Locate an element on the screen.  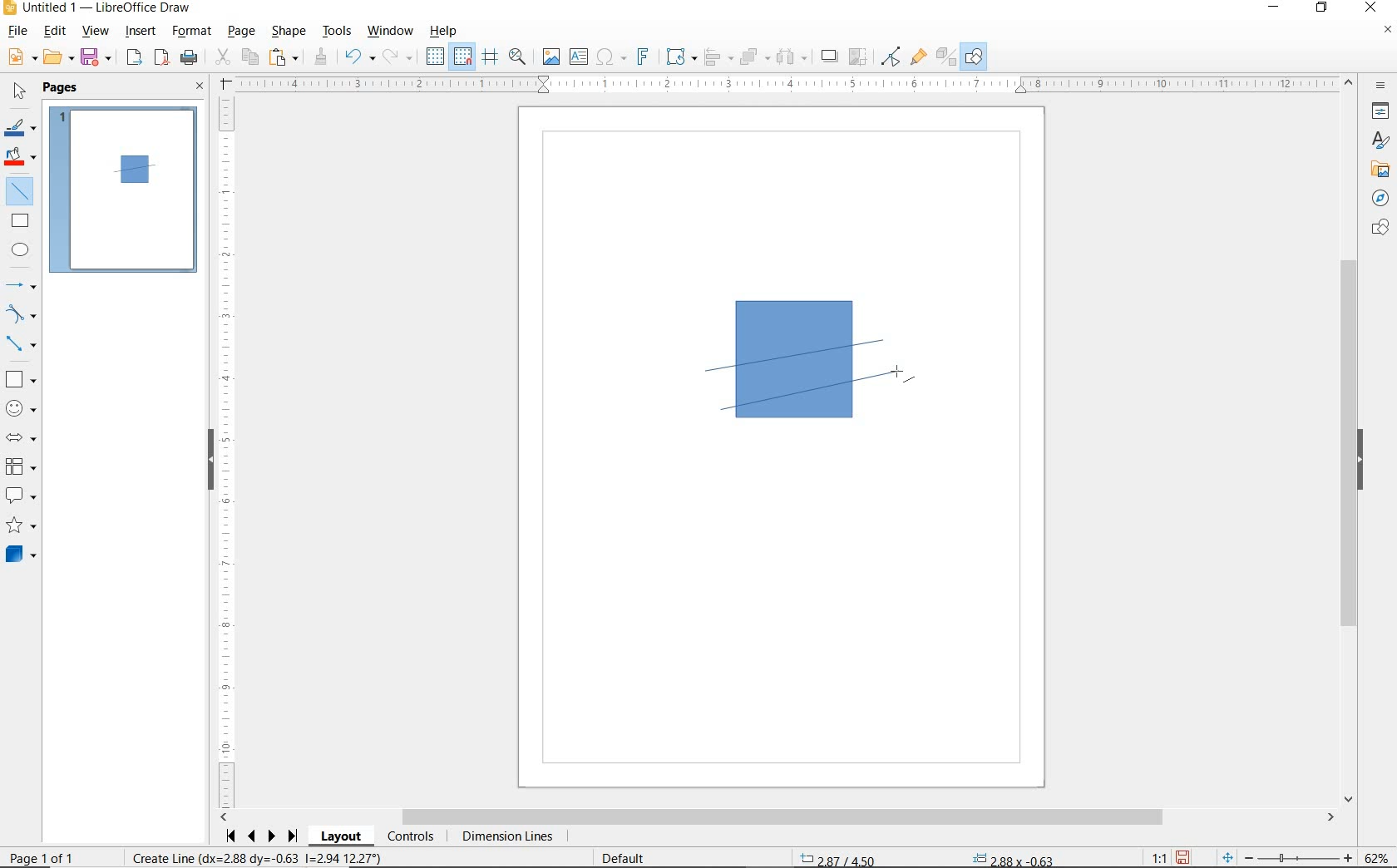
STARS AND BANNERS is located at coordinates (21, 526).